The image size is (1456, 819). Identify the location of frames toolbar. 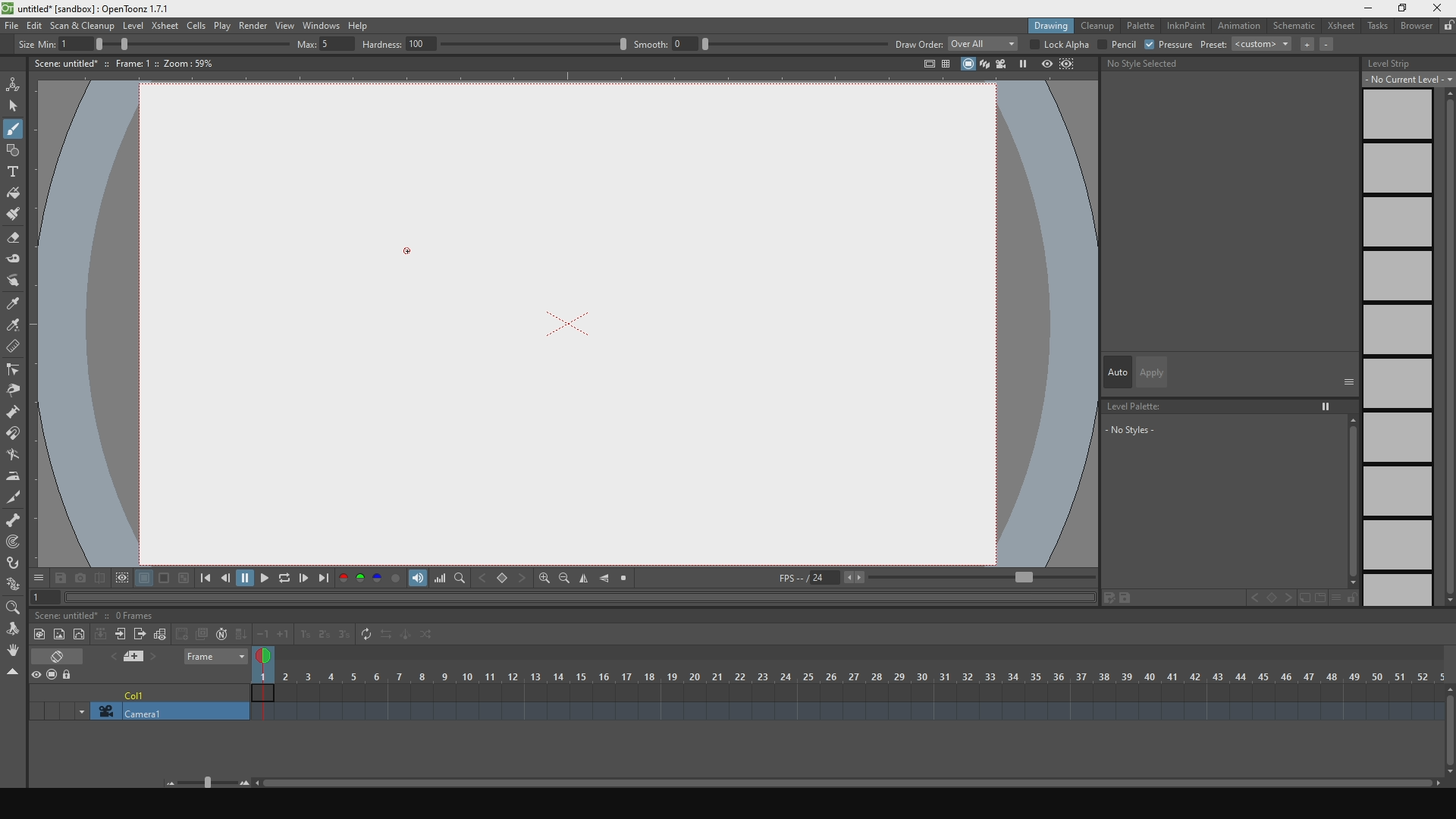
(136, 633).